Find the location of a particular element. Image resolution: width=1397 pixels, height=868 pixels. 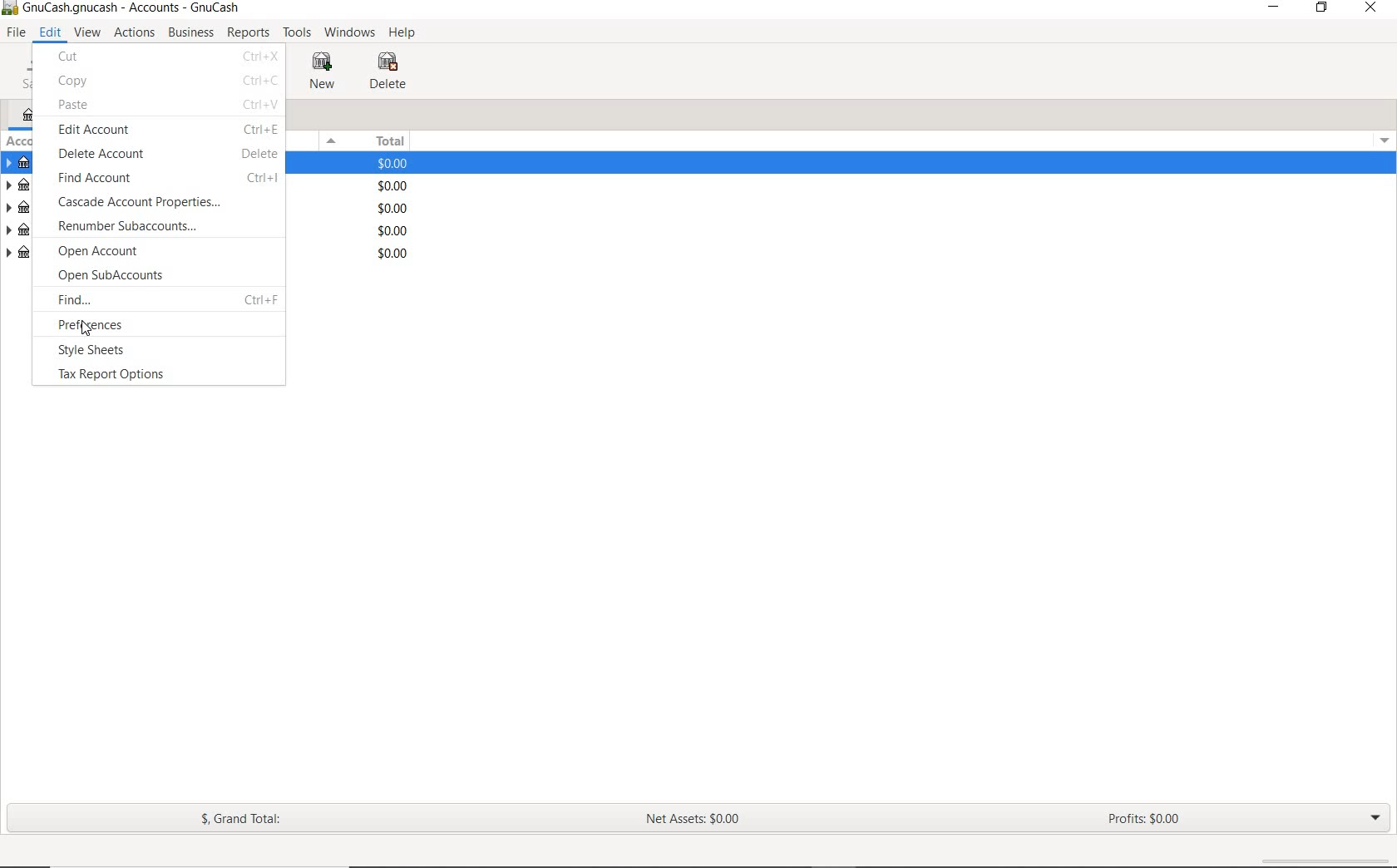

TAX REPORT OPTIONS is located at coordinates (126, 375).